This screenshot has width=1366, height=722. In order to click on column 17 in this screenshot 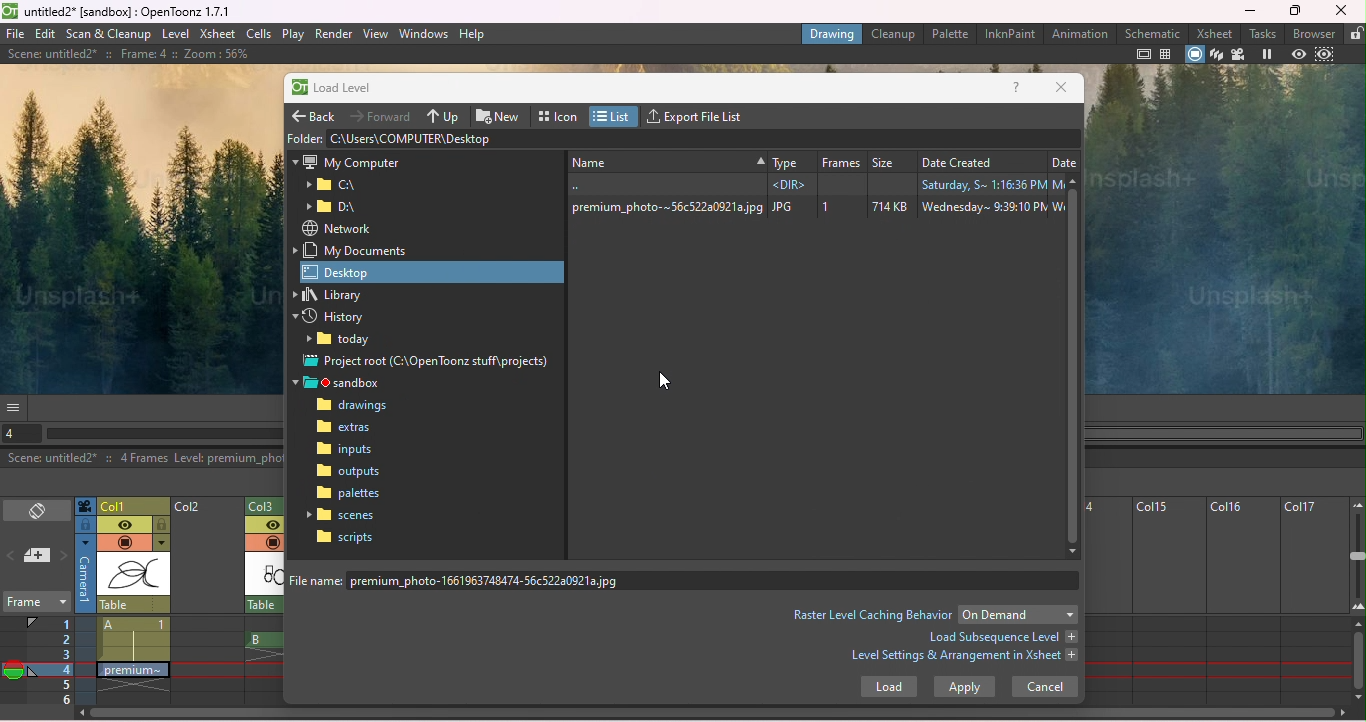, I will do `click(1314, 601)`.